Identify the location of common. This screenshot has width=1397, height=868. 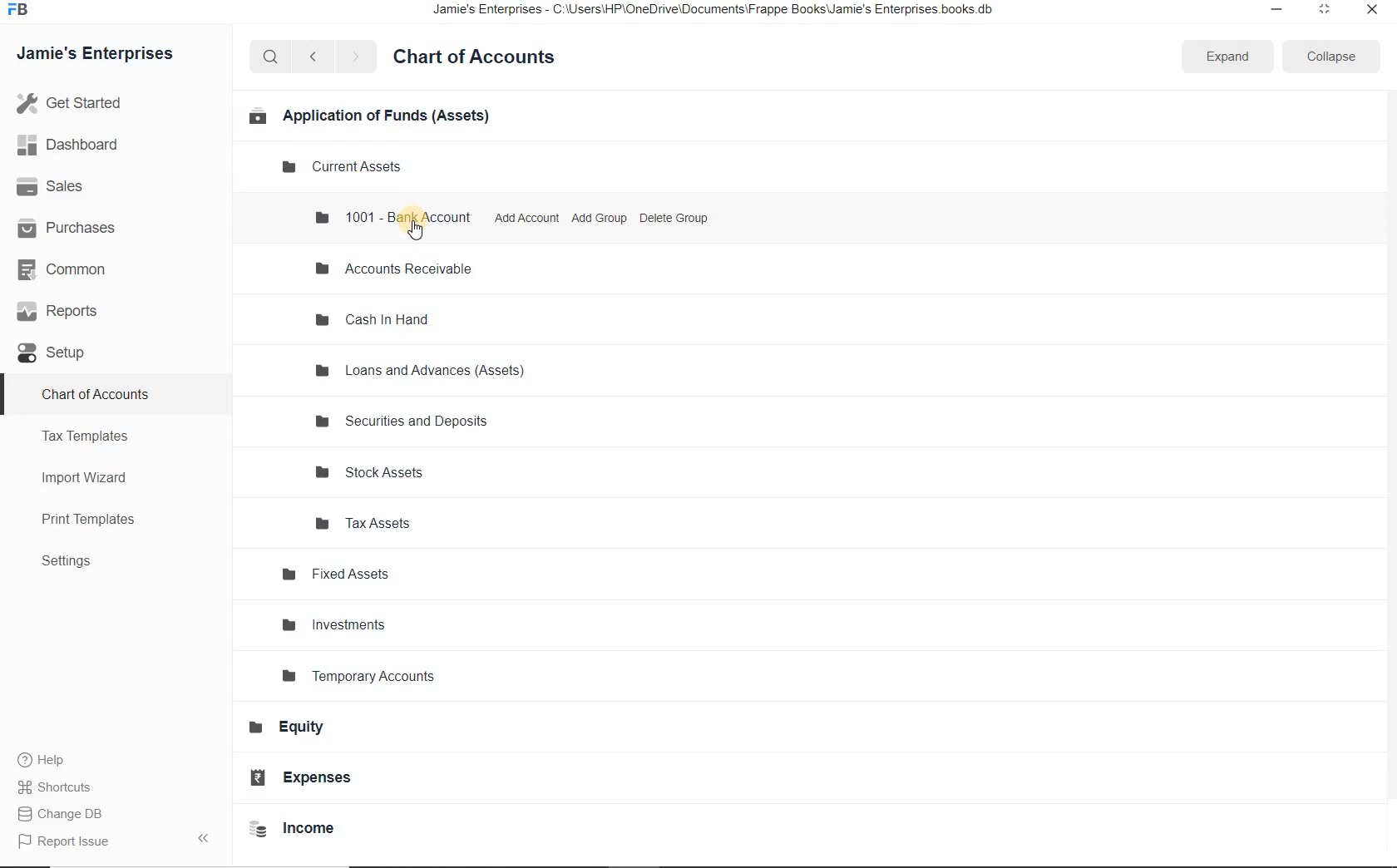
(77, 272).